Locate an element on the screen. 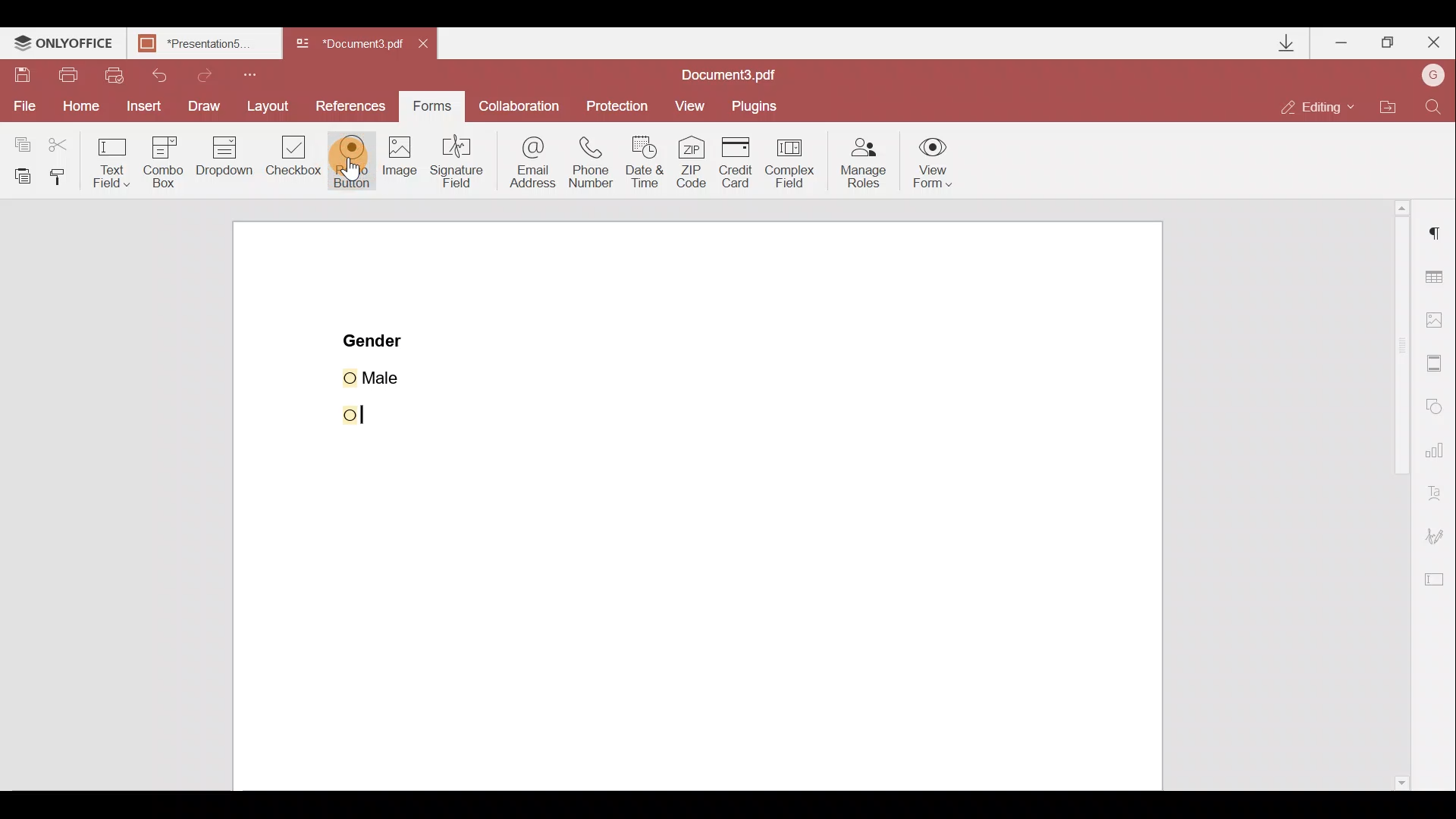 The image size is (1456, 819). Male is located at coordinates (392, 375).